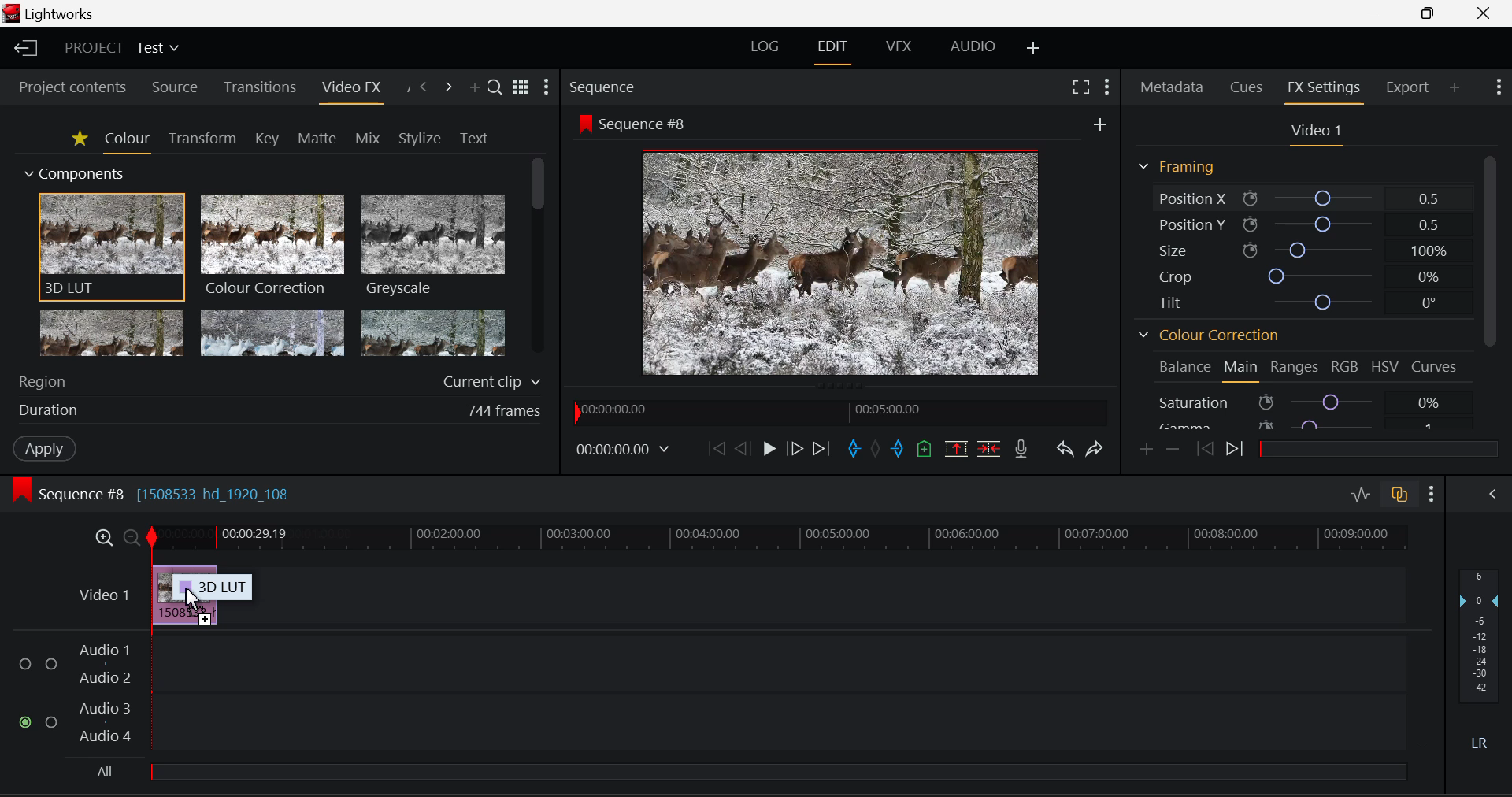 This screenshot has height=797, width=1512. Describe the element at coordinates (107, 679) in the screenshot. I see `Audio 2` at that location.